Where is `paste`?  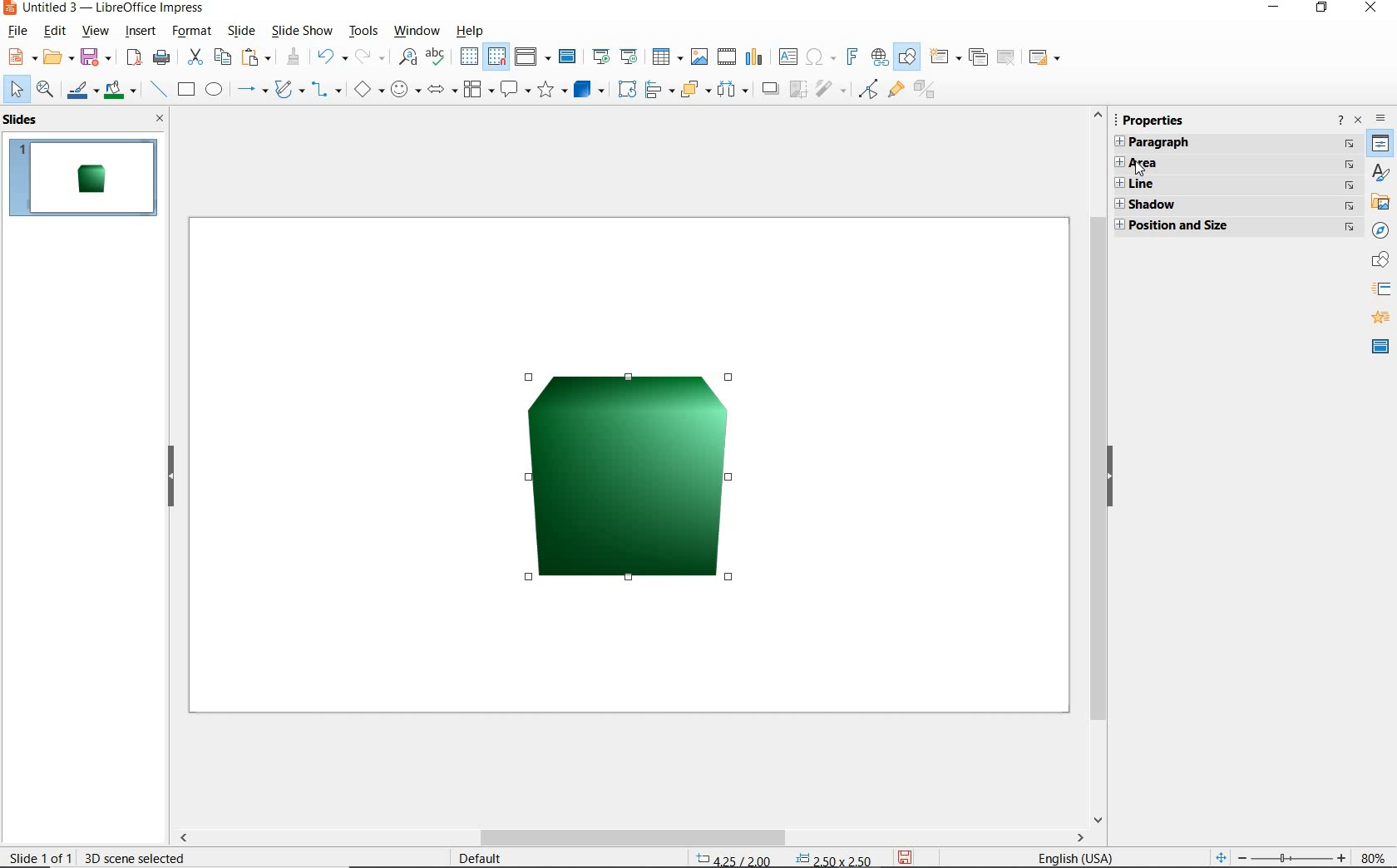
paste is located at coordinates (257, 57).